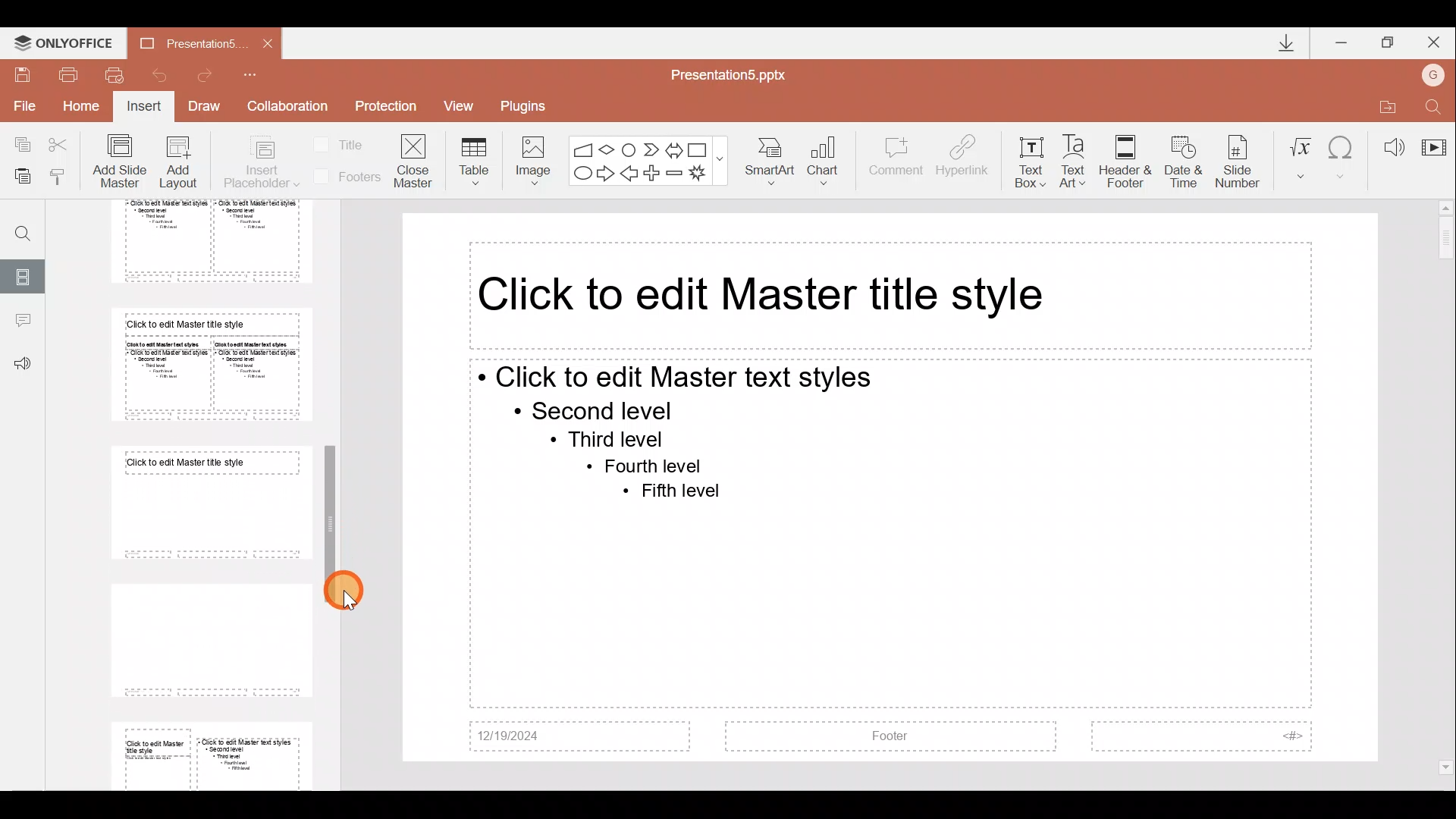  I want to click on Plugins, so click(529, 104).